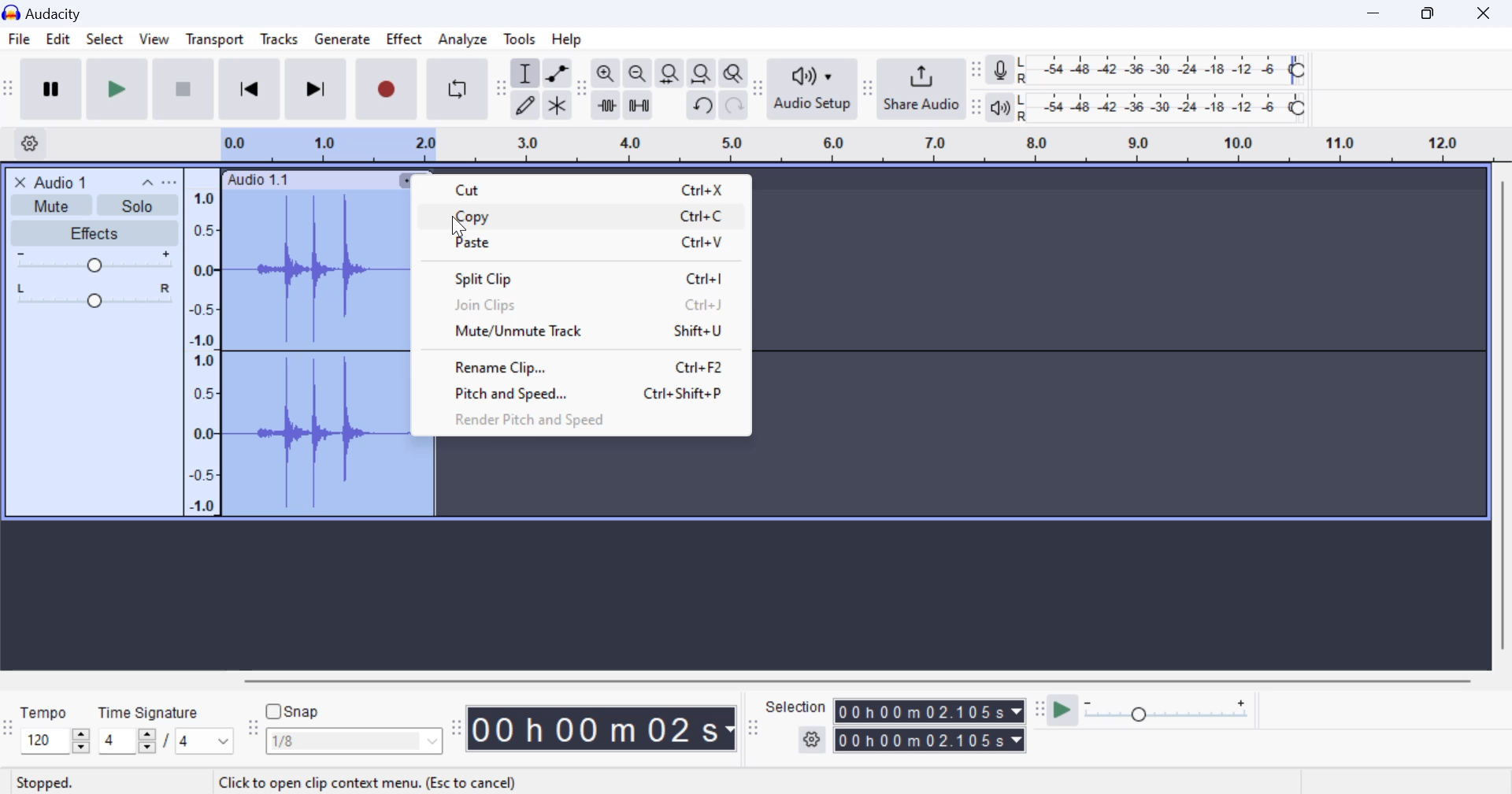 Image resolution: width=1512 pixels, height=794 pixels. Describe the element at coordinates (1376, 13) in the screenshot. I see `Restore Down` at that location.